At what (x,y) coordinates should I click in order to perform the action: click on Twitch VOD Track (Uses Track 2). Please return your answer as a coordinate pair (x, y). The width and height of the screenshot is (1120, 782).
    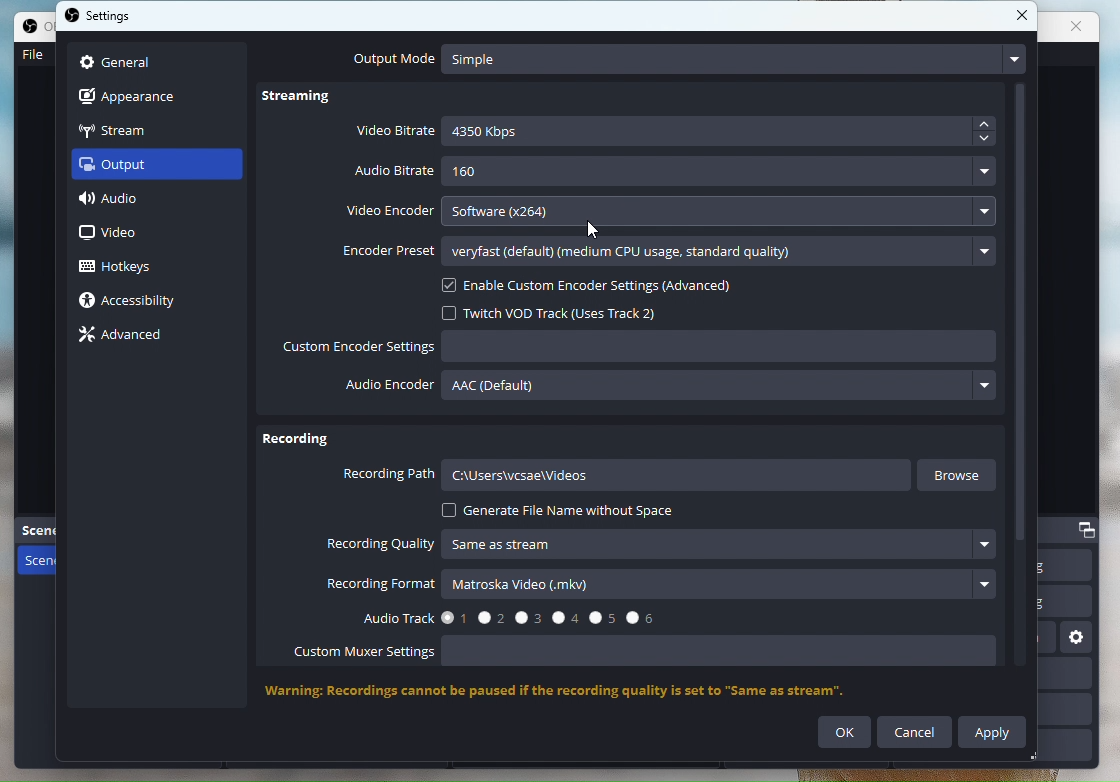
    Looking at the image, I should click on (561, 312).